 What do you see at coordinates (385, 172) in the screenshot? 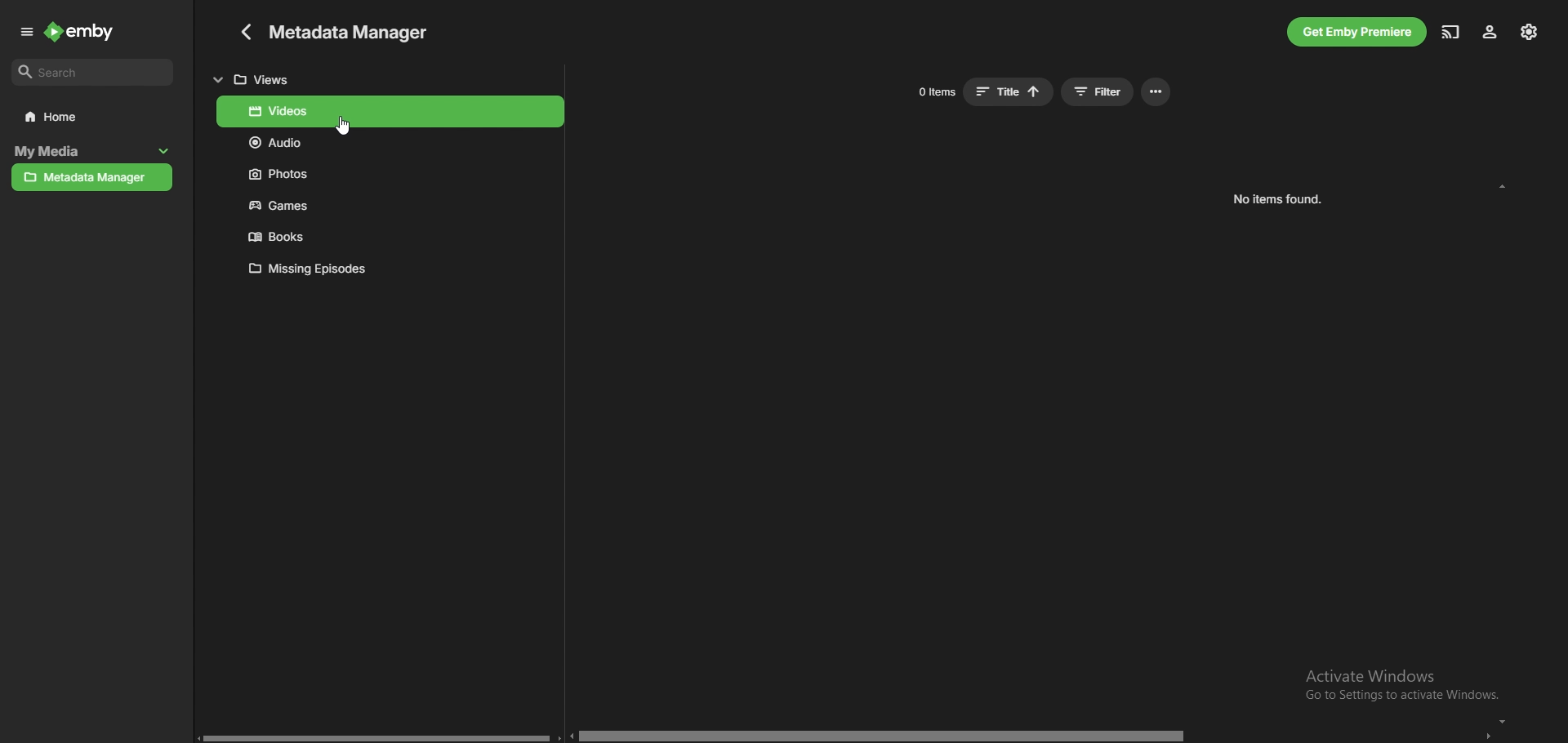
I see `photos` at bounding box center [385, 172].